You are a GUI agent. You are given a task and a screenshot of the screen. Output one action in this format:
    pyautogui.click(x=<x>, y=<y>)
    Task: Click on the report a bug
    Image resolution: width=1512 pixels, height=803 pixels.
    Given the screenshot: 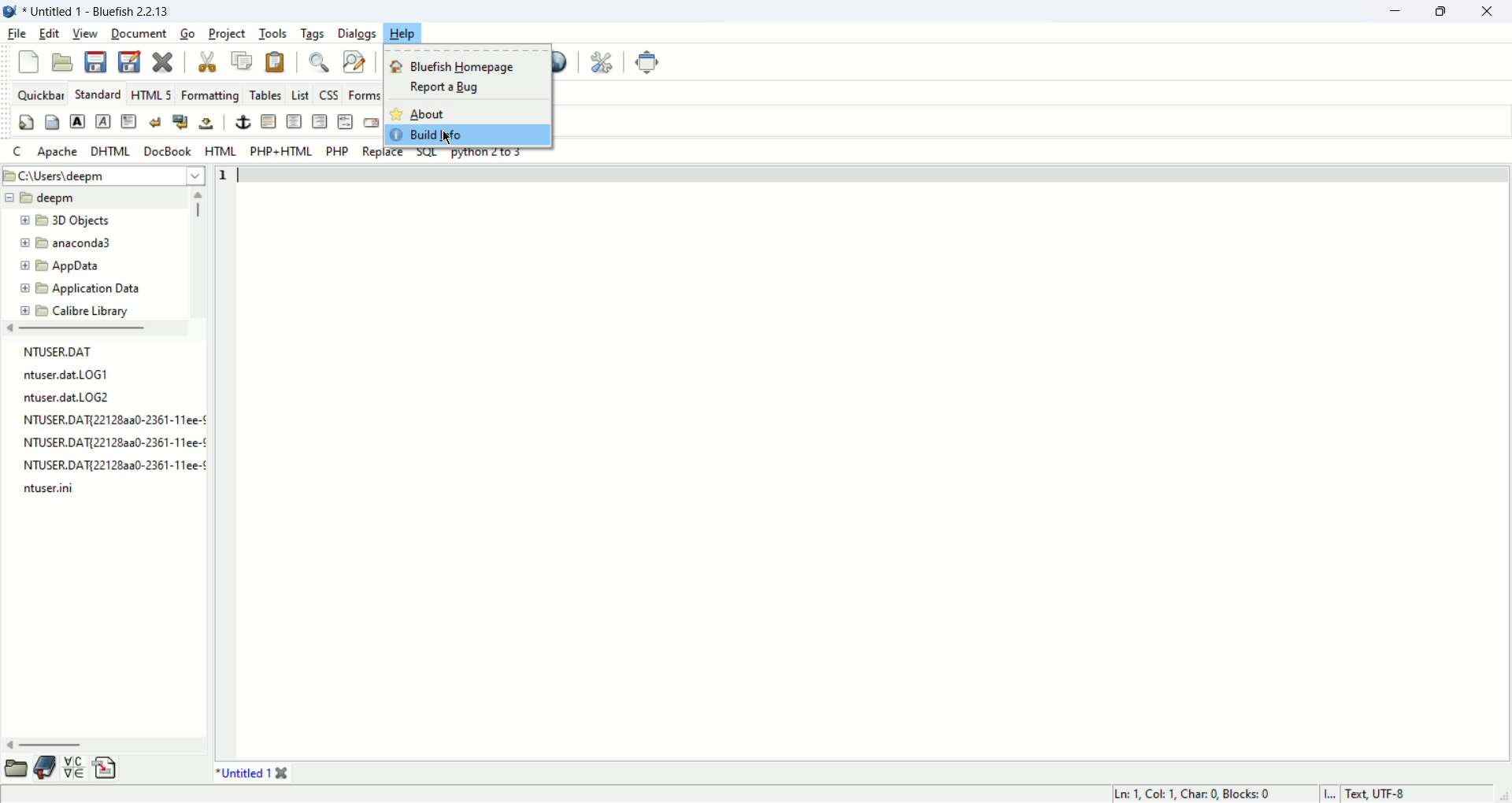 What is the action you would take?
    pyautogui.click(x=435, y=87)
    